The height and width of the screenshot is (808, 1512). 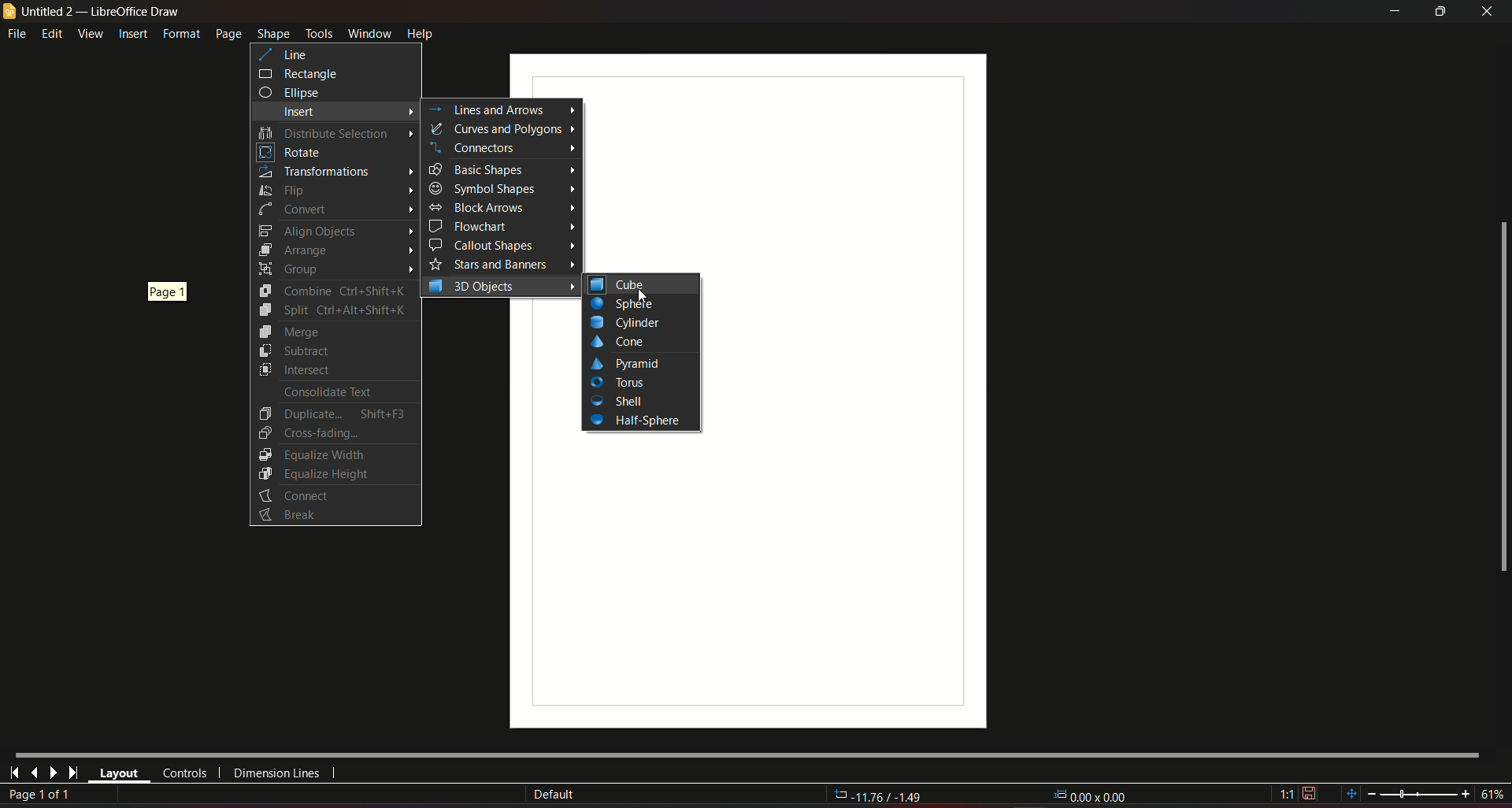 I want to click on Connect, so click(x=298, y=495).